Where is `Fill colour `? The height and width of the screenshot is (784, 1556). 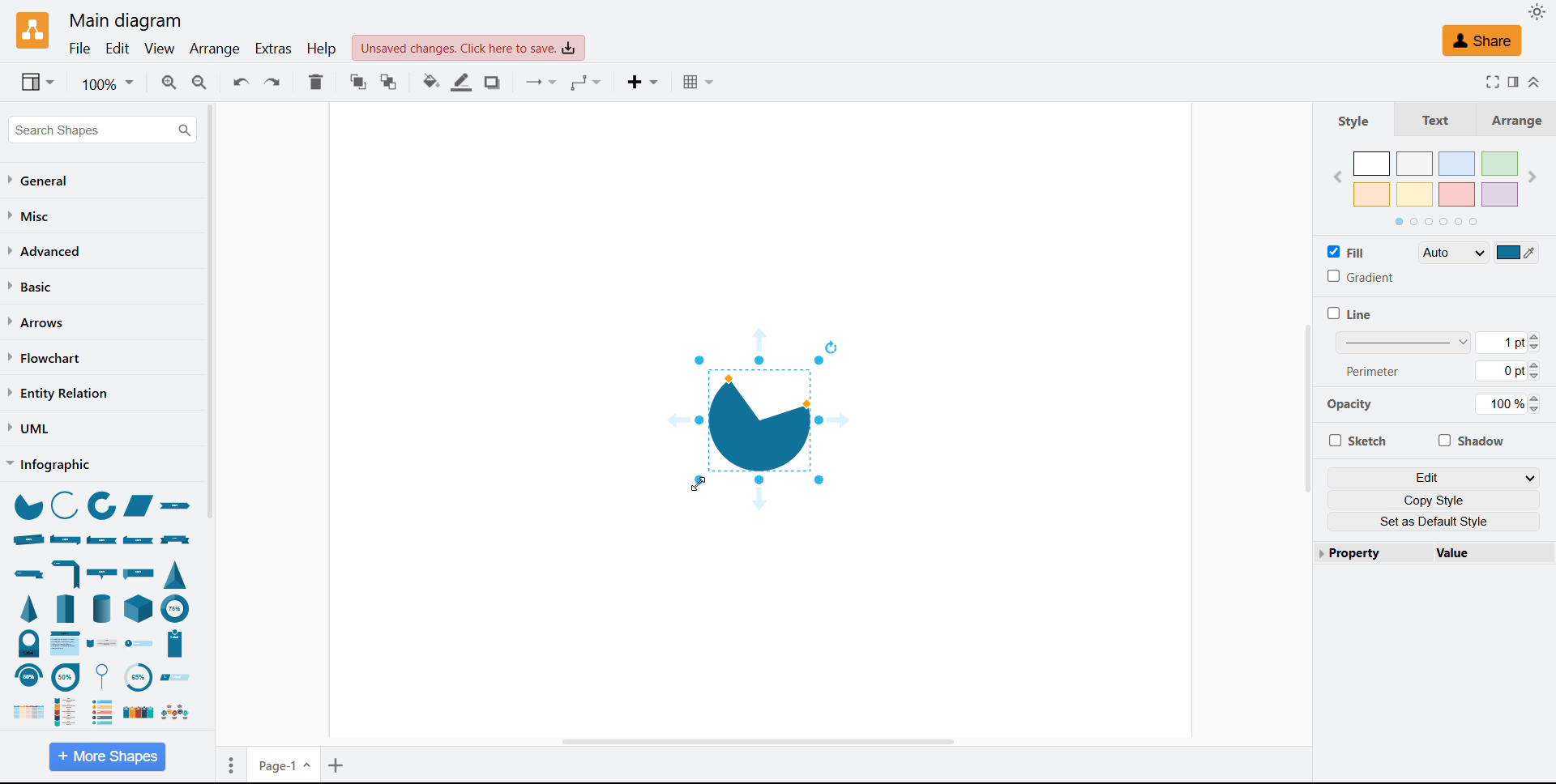 Fill colour  is located at coordinates (432, 82).